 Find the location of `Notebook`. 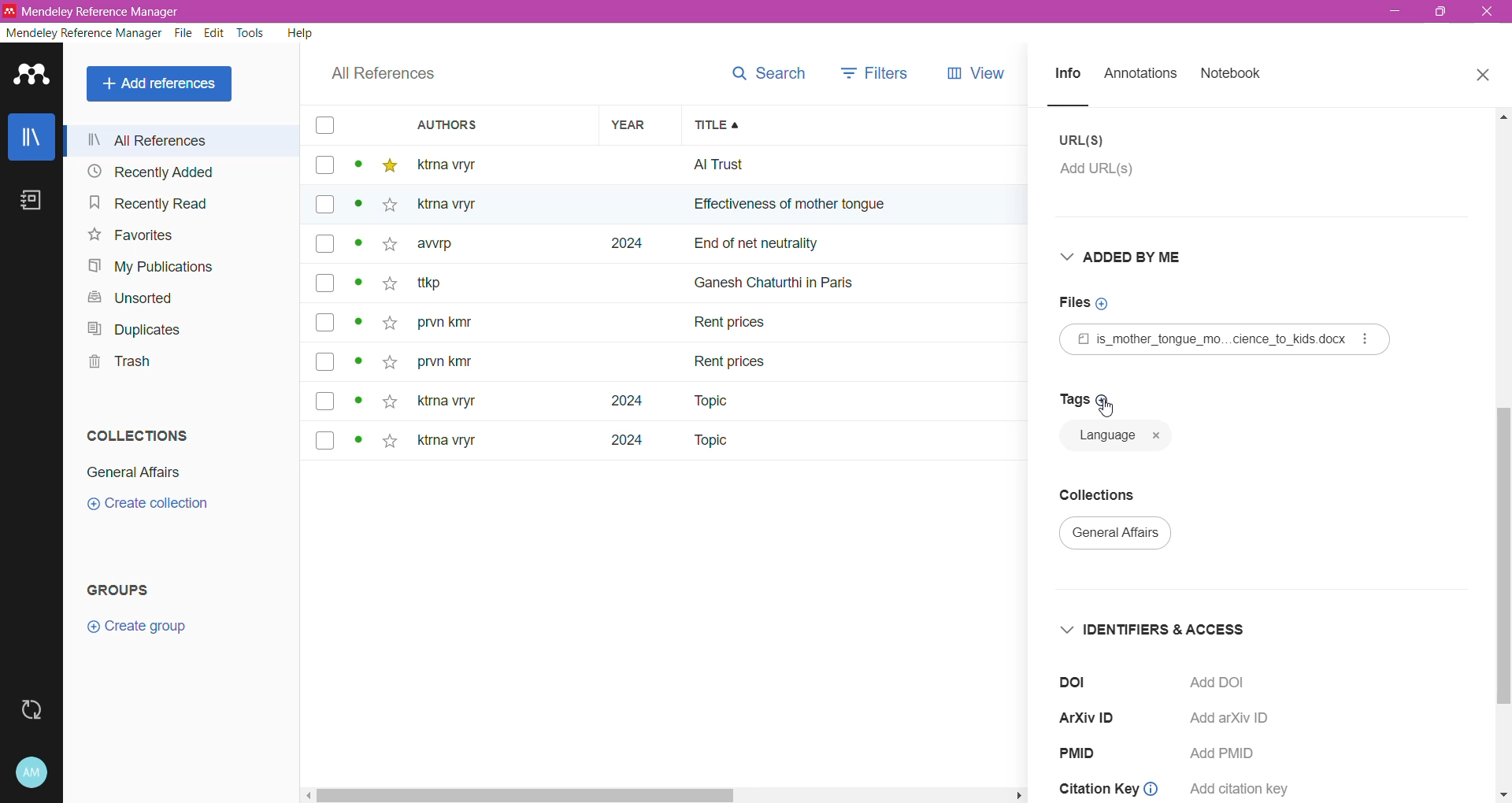

Notebook is located at coordinates (1232, 74).